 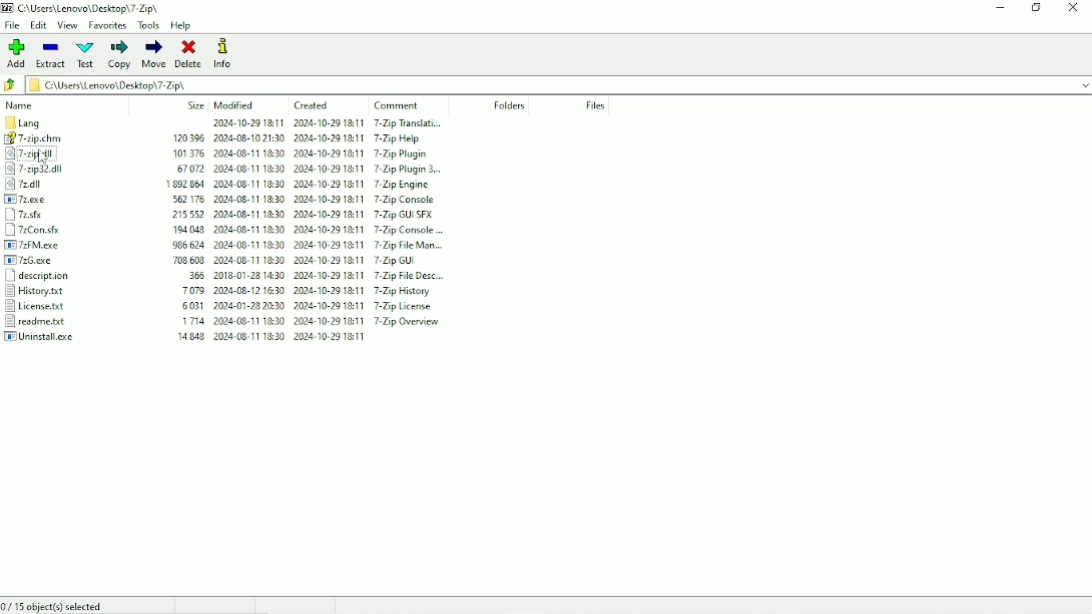 What do you see at coordinates (1000, 7) in the screenshot?
I see `Minimize` at bounding box center [1000, 7].